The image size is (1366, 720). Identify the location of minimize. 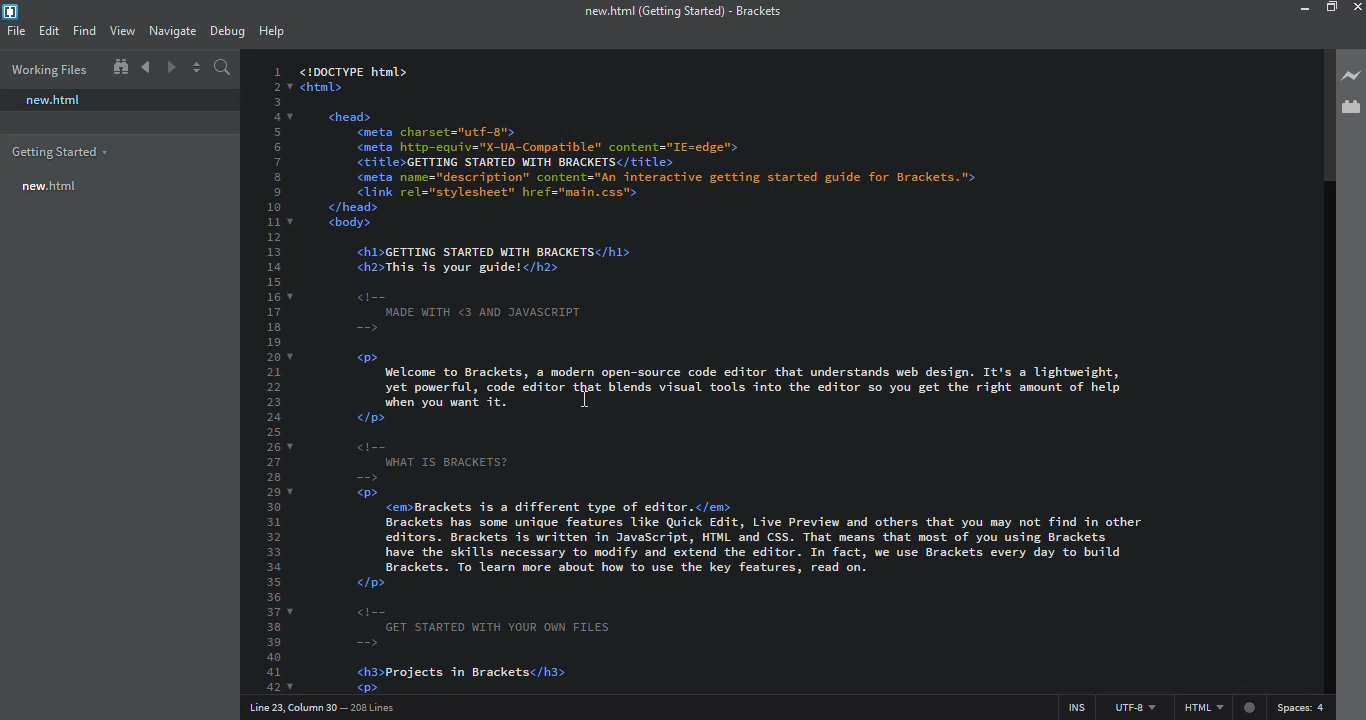
(1293, 8).